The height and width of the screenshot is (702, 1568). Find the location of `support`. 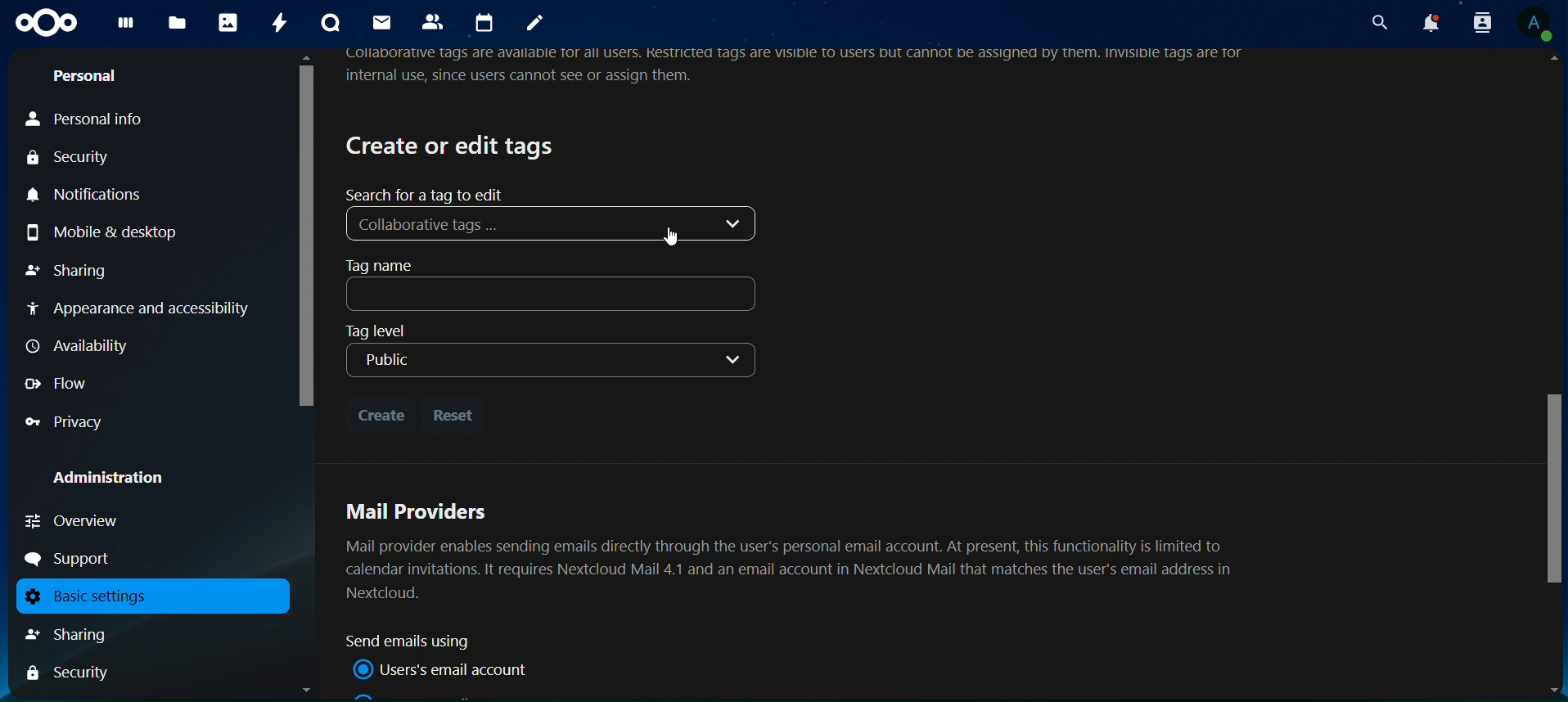

support is located at coordinates (74, 559).